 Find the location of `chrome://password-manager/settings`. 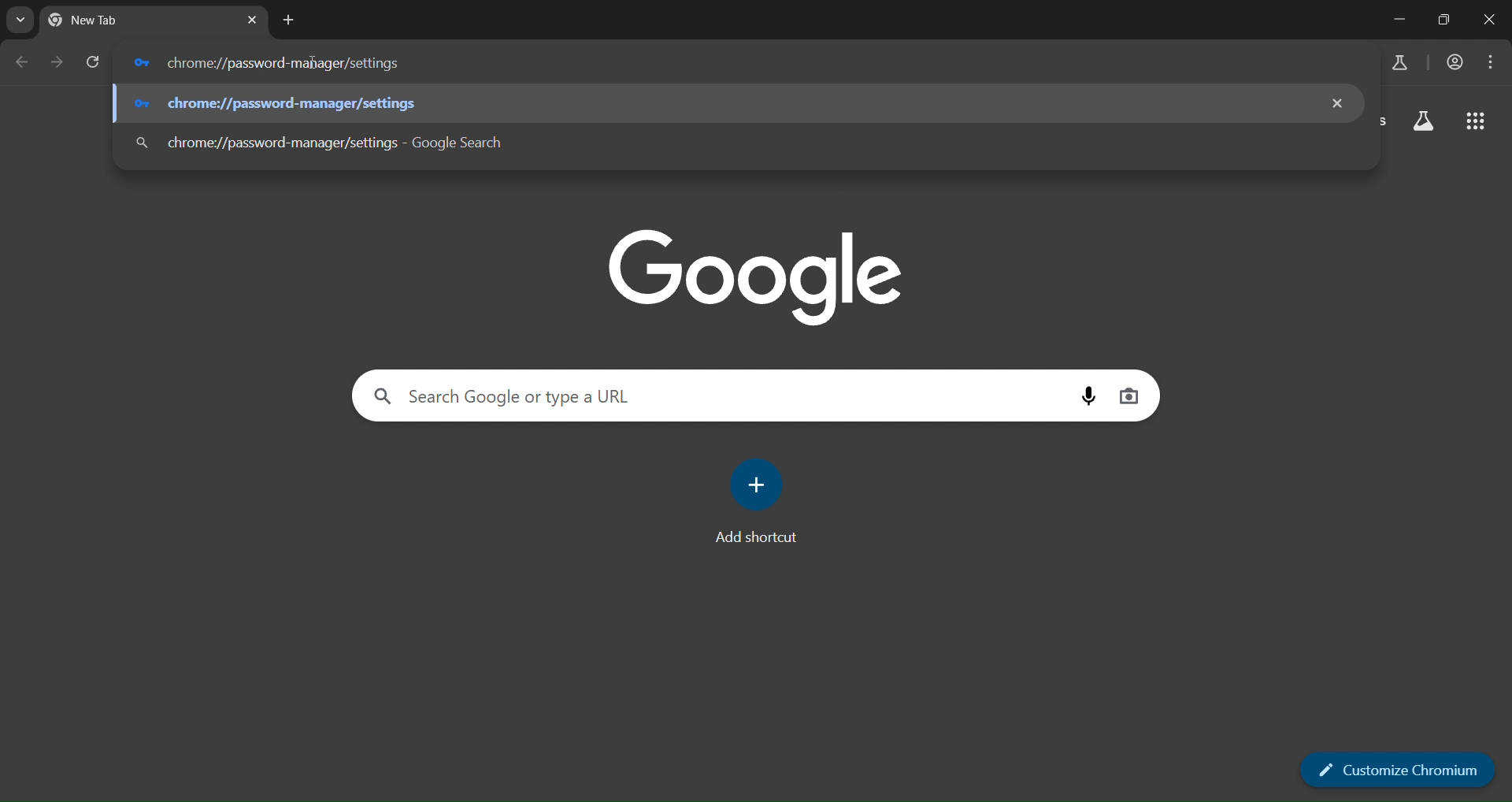

chrome://password-manager/settings is located at coordinates (725, 102).